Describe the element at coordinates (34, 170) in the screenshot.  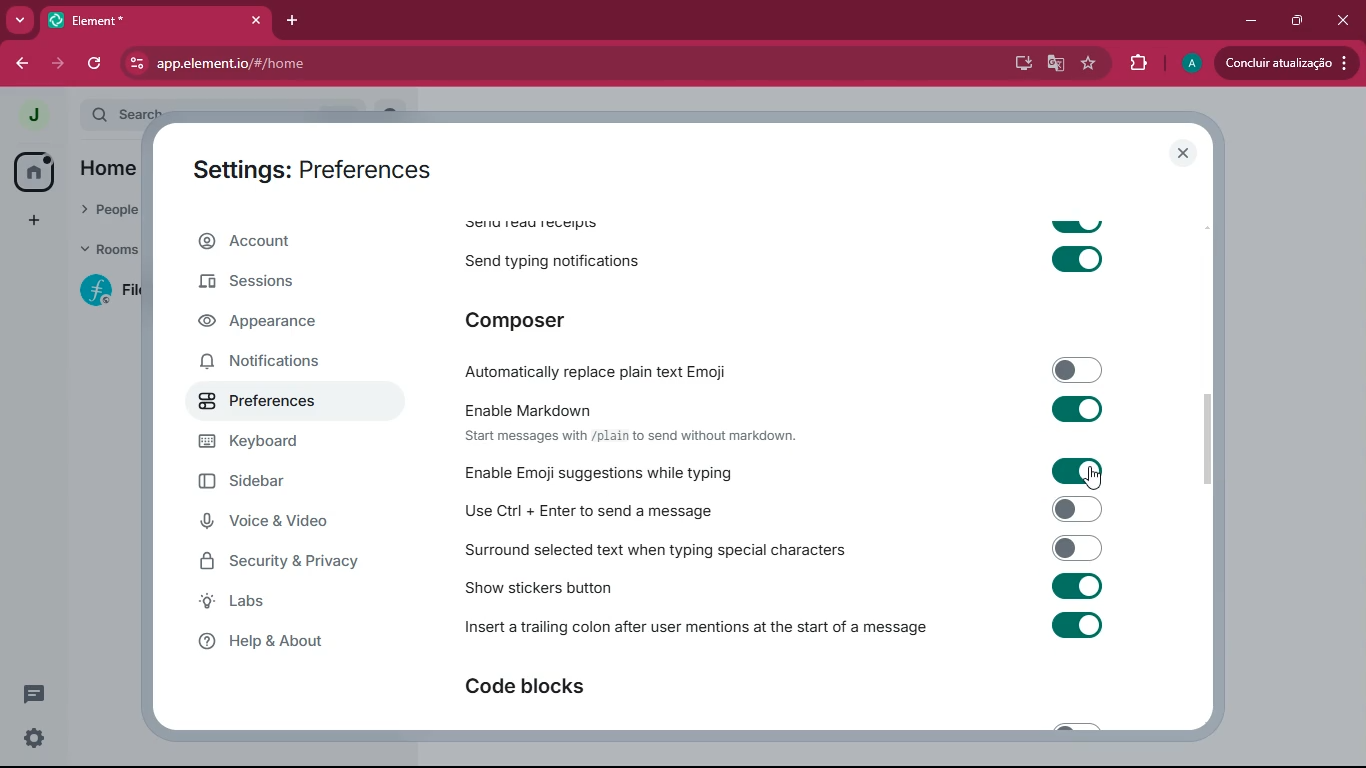
I see `home` at that location.